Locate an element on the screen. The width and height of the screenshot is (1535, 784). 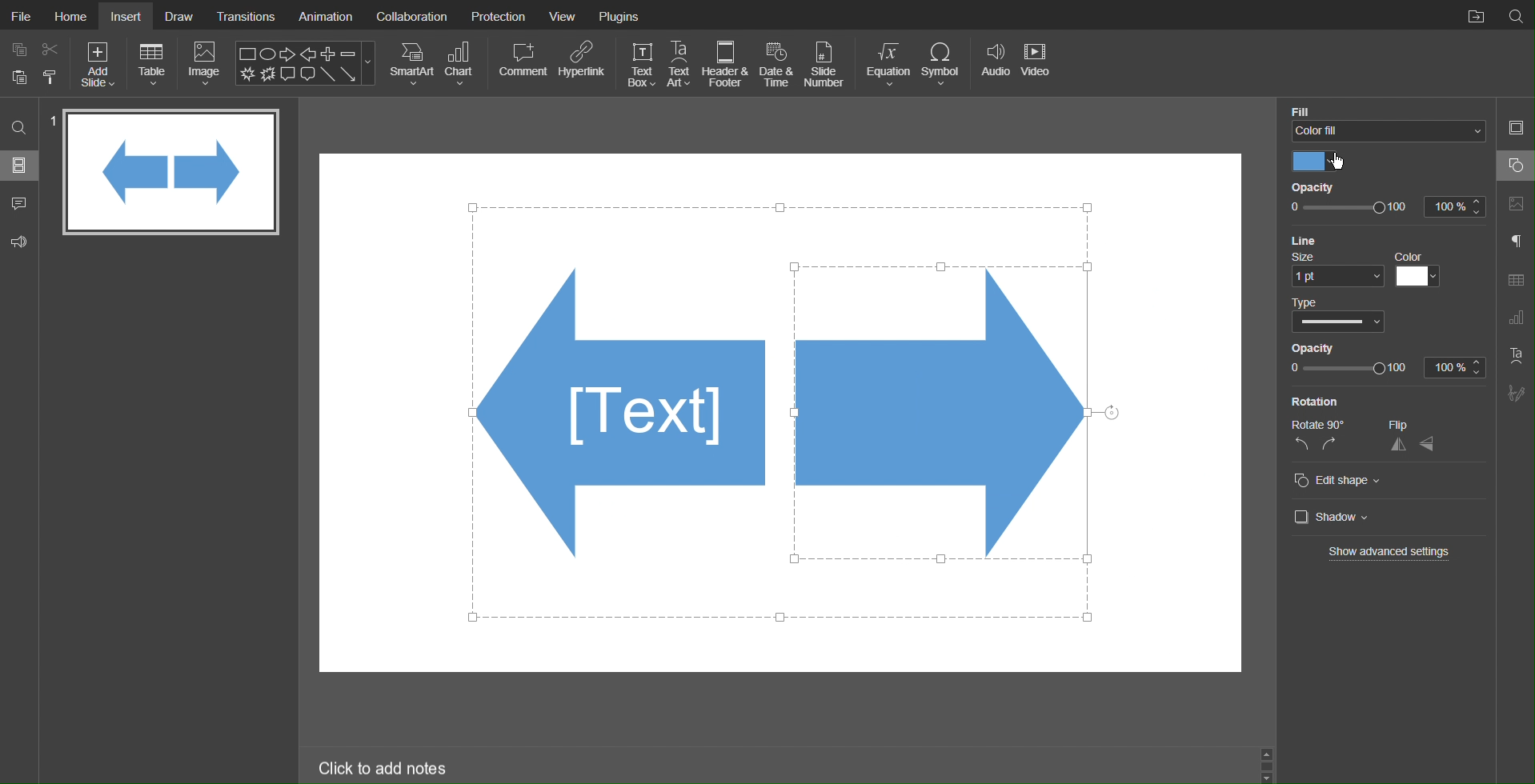
Edit Shape is located at coordinates (1347, 481).